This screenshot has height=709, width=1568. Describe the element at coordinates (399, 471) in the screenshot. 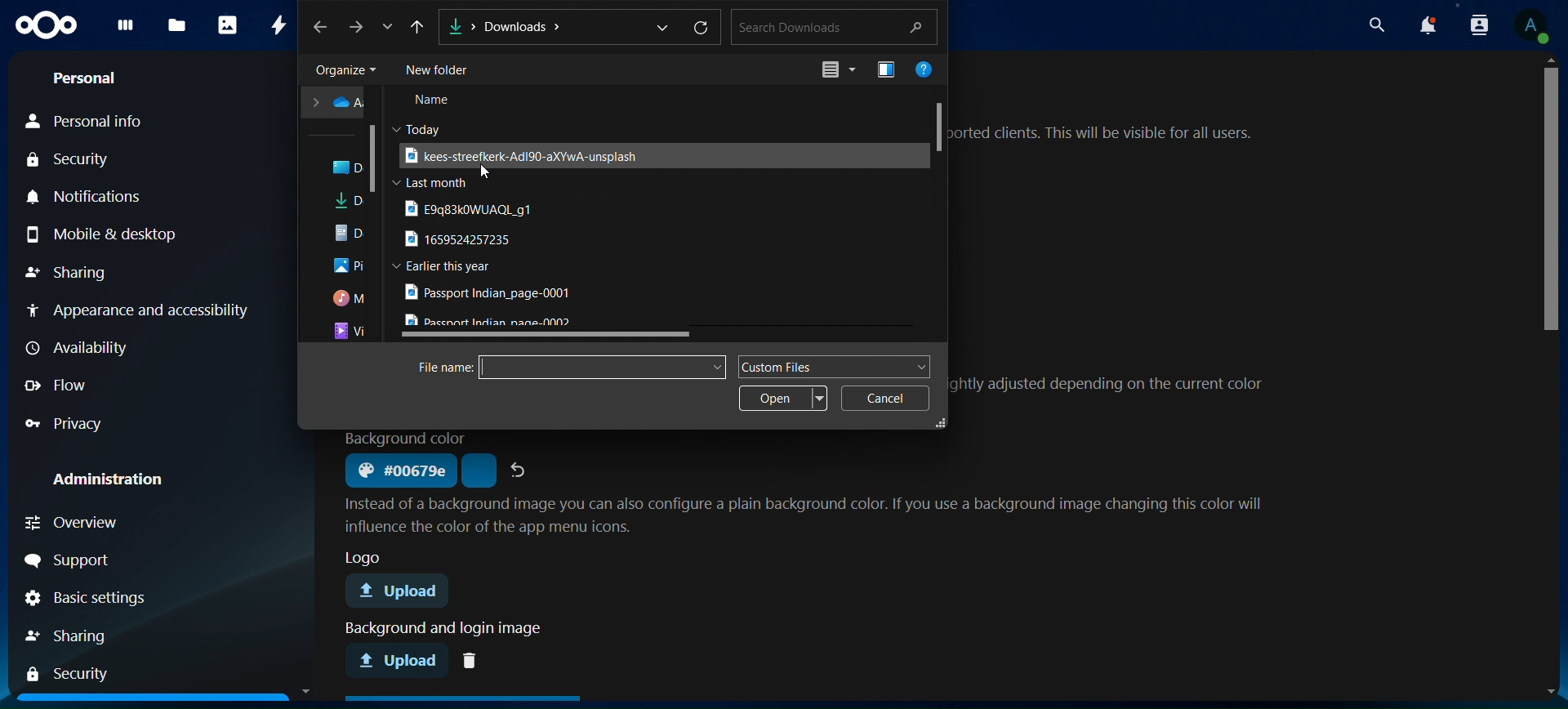

I see `background color` at that location.